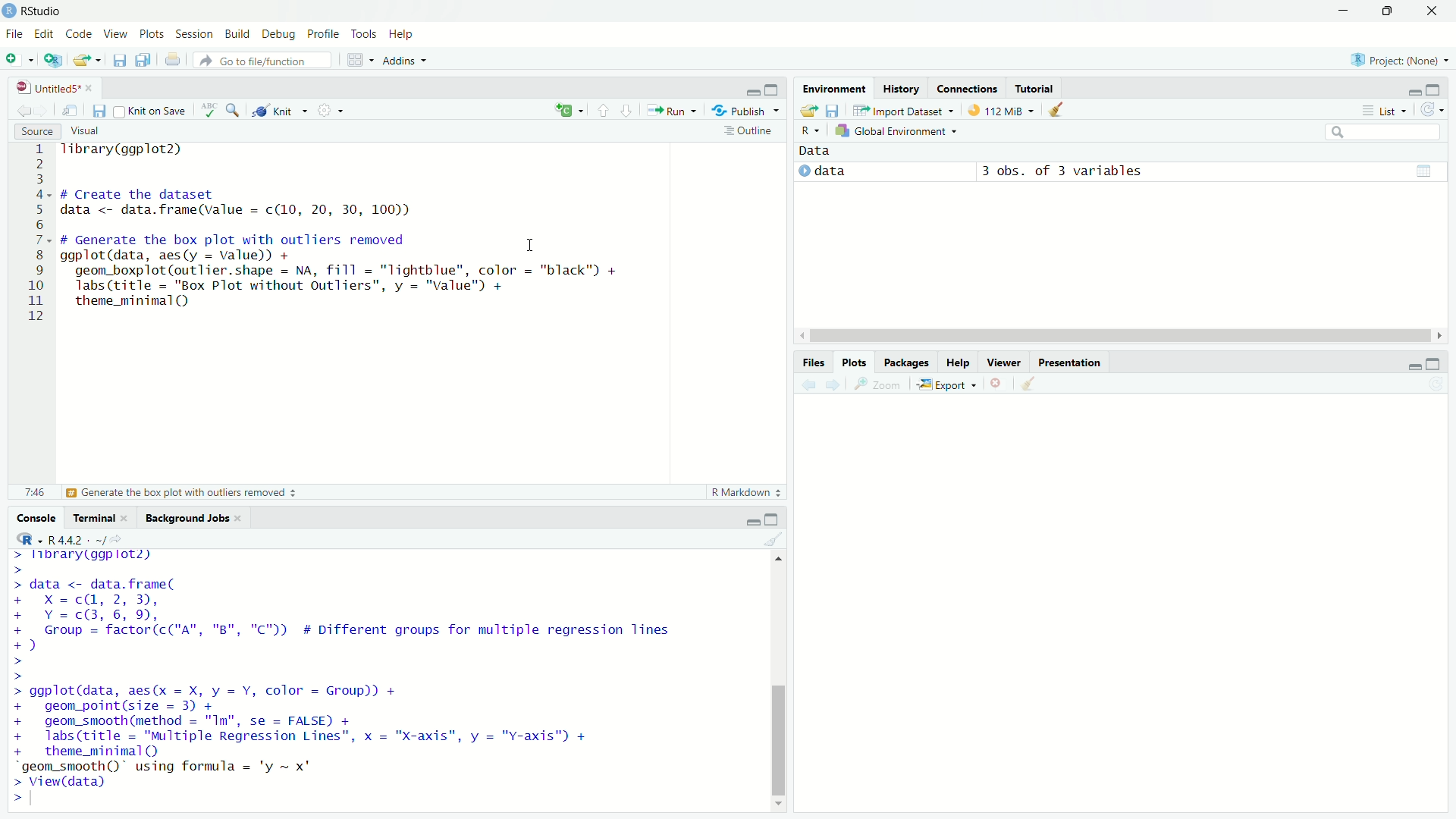 This screenshot has height=819, width=1456. I want to click on + Addins ~, so click(400, 59).